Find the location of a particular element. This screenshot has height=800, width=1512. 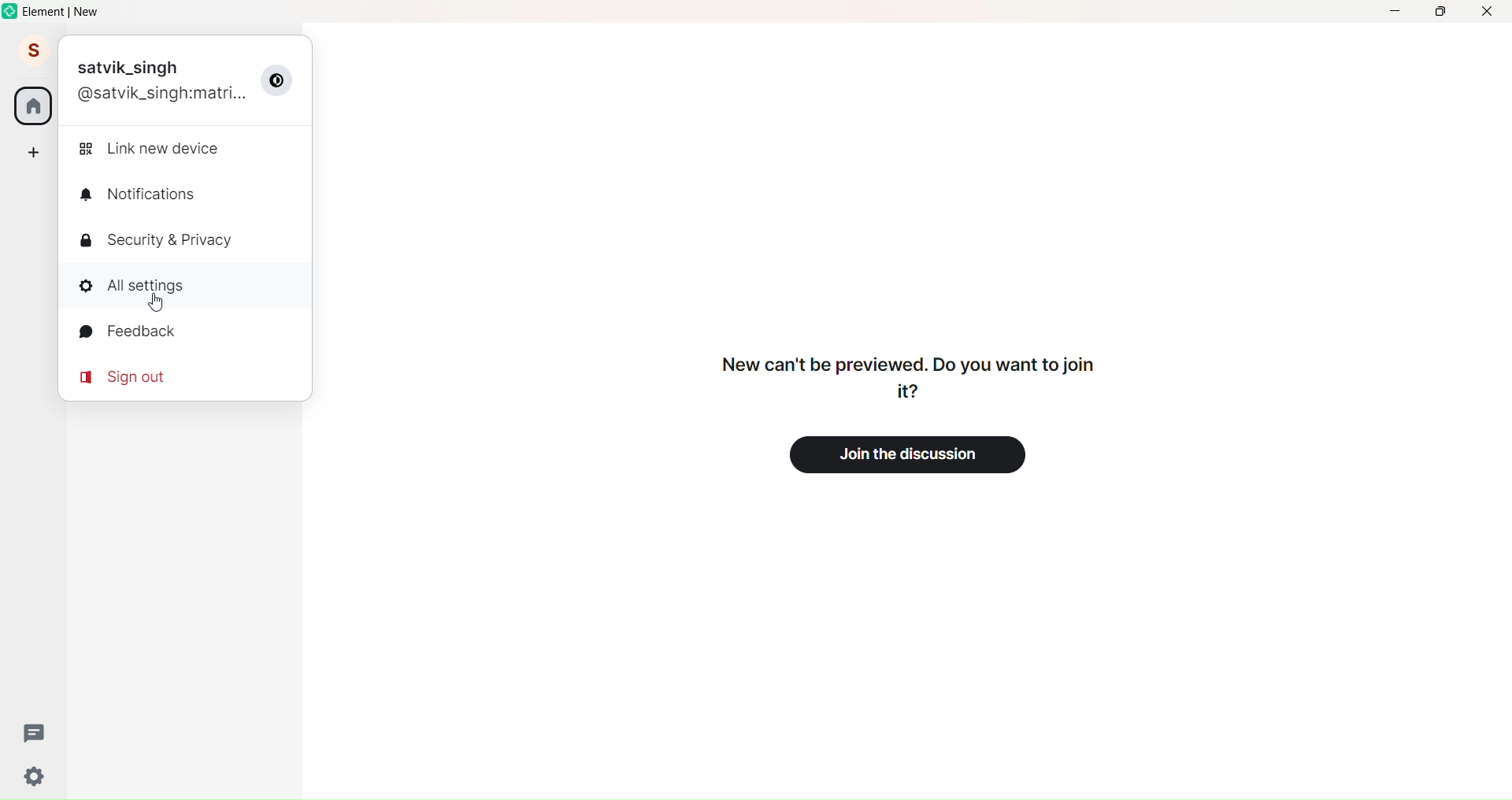

Threads is located at coordinates (35, 731).